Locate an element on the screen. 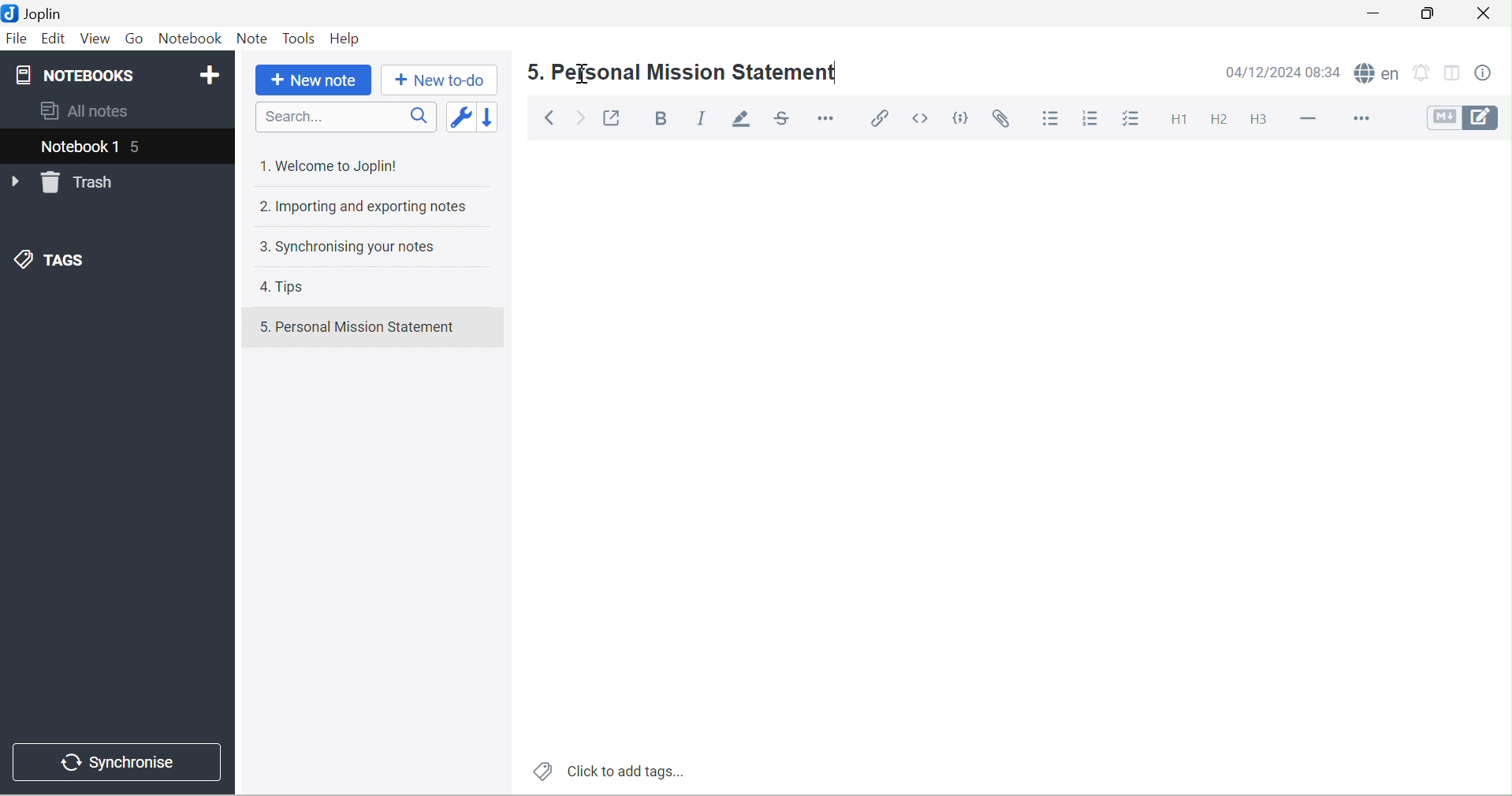  Restore Down is located at coordinates (1425, 13).